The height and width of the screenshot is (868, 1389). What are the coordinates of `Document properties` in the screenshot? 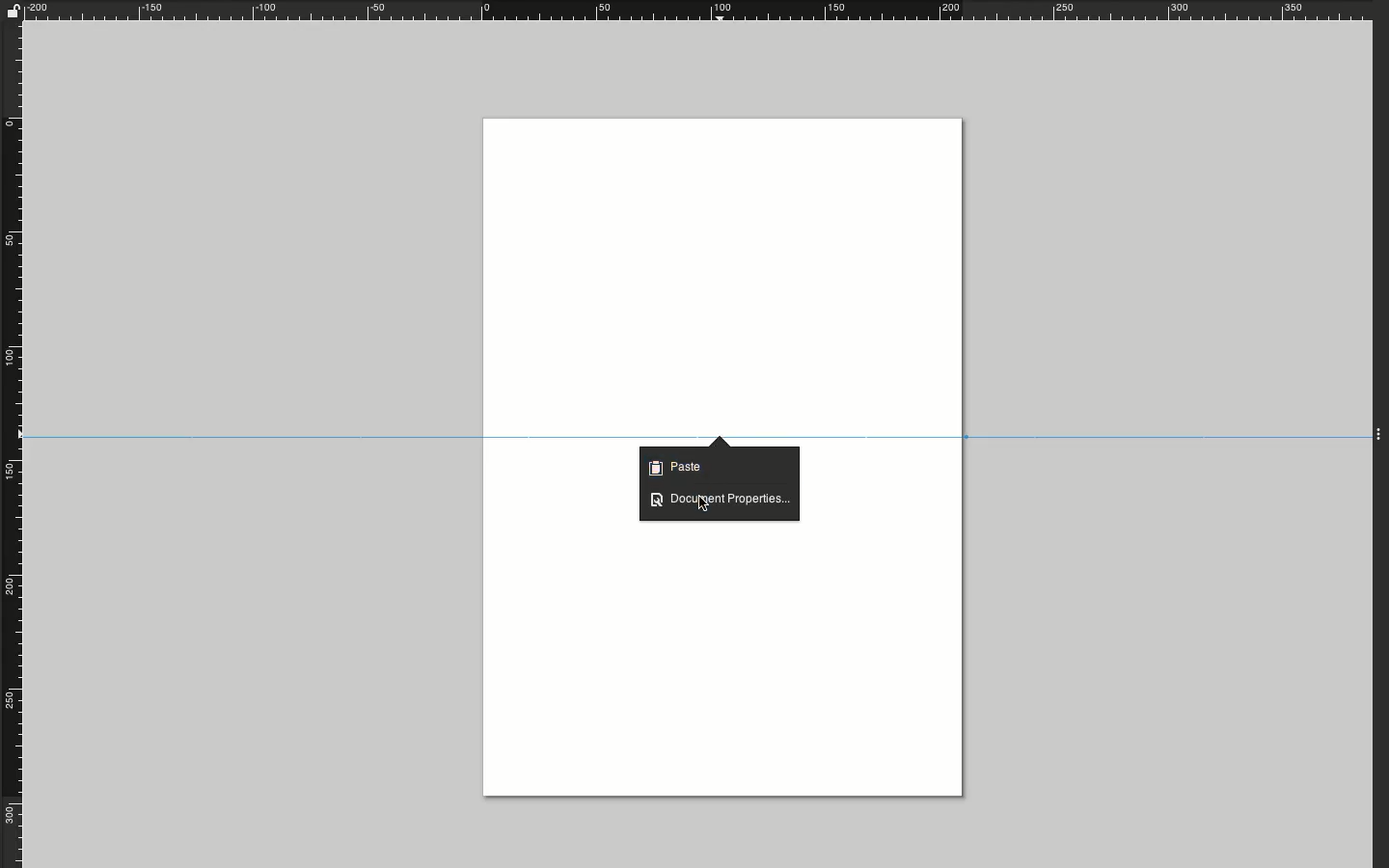 It's located at (720, 502).